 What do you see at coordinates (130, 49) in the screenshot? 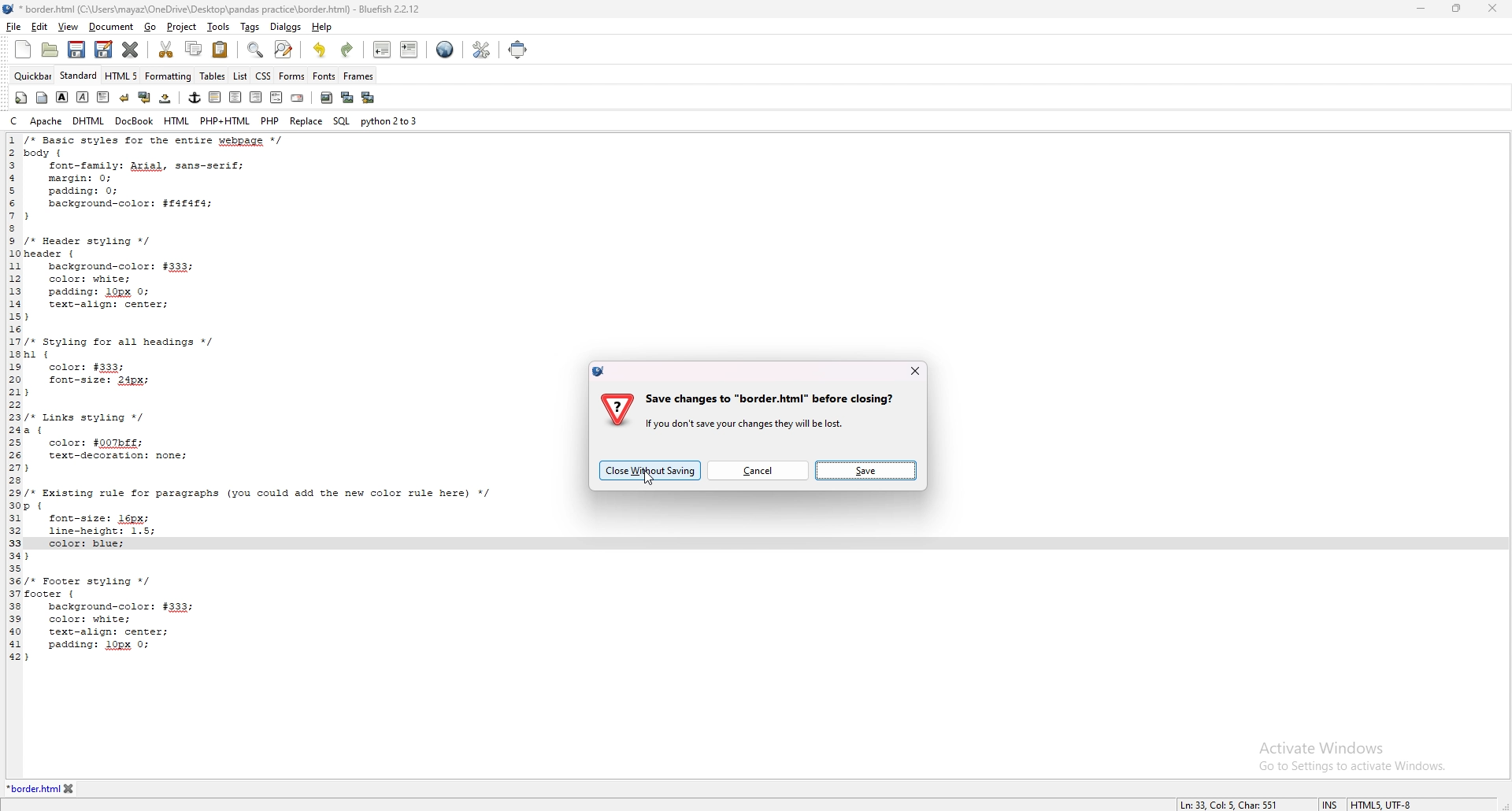
I see `close current tab` at bounding box center [130, 49].